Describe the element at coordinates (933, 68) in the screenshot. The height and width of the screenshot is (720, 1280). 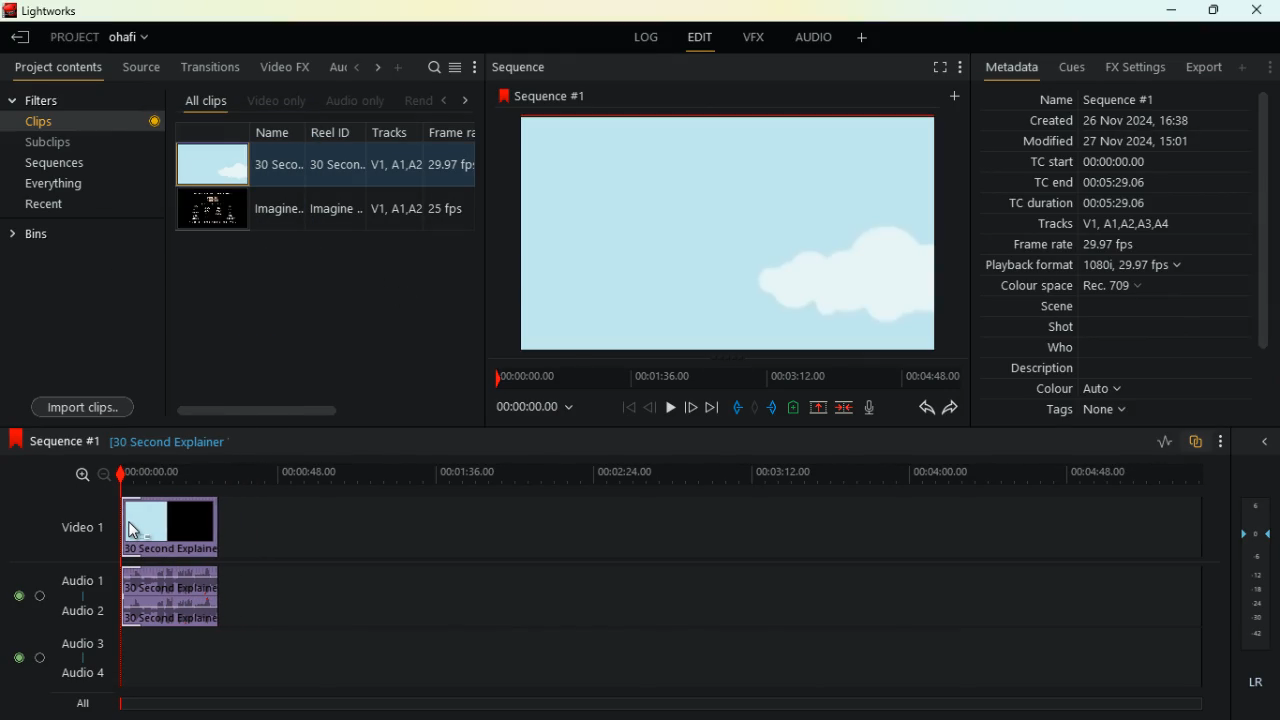
I see `fullscreen` at that location.